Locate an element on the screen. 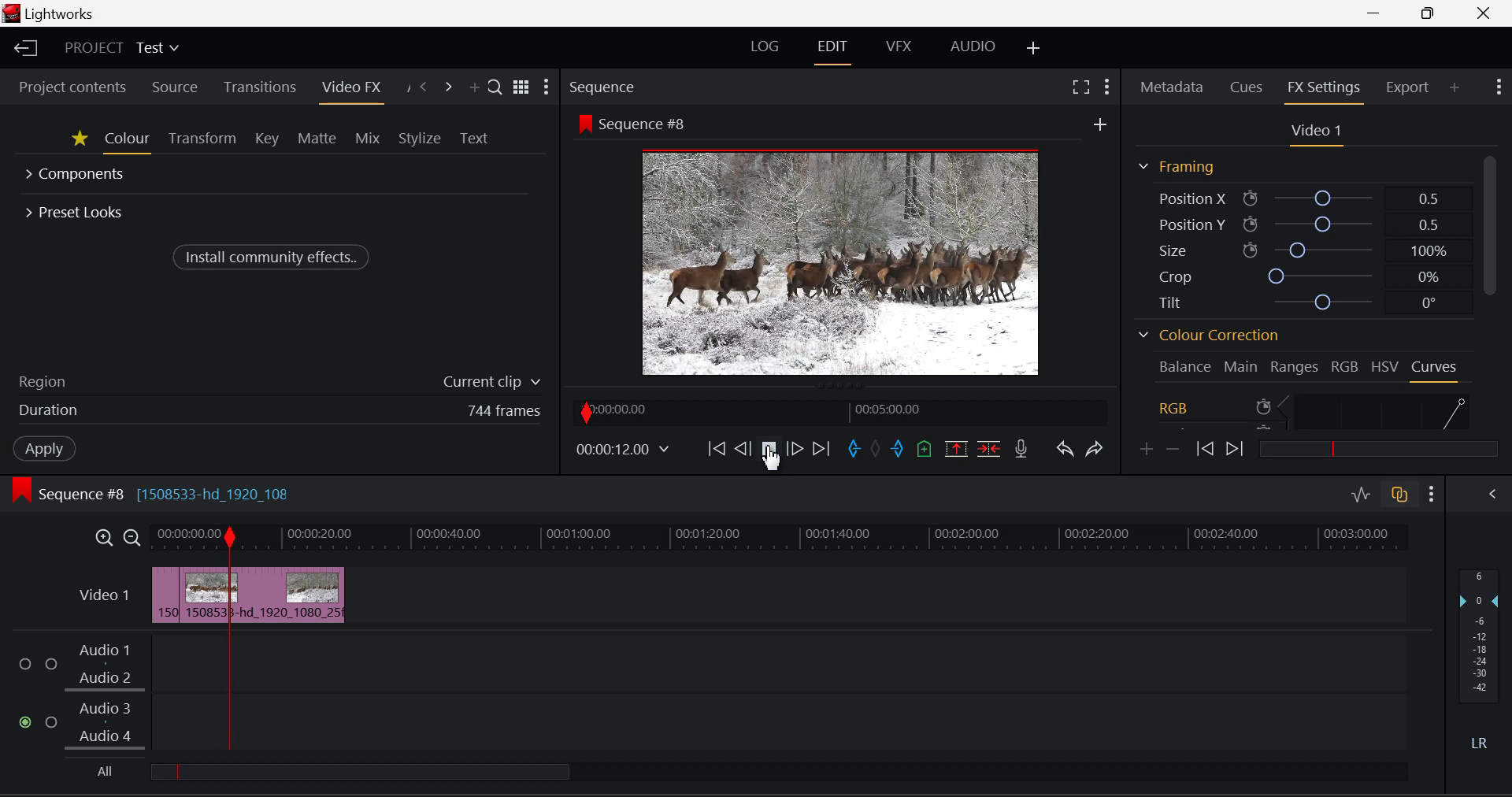 The width and height of the screenshot is (1512, 797). Ranges is located at coordinates (1295, 366).